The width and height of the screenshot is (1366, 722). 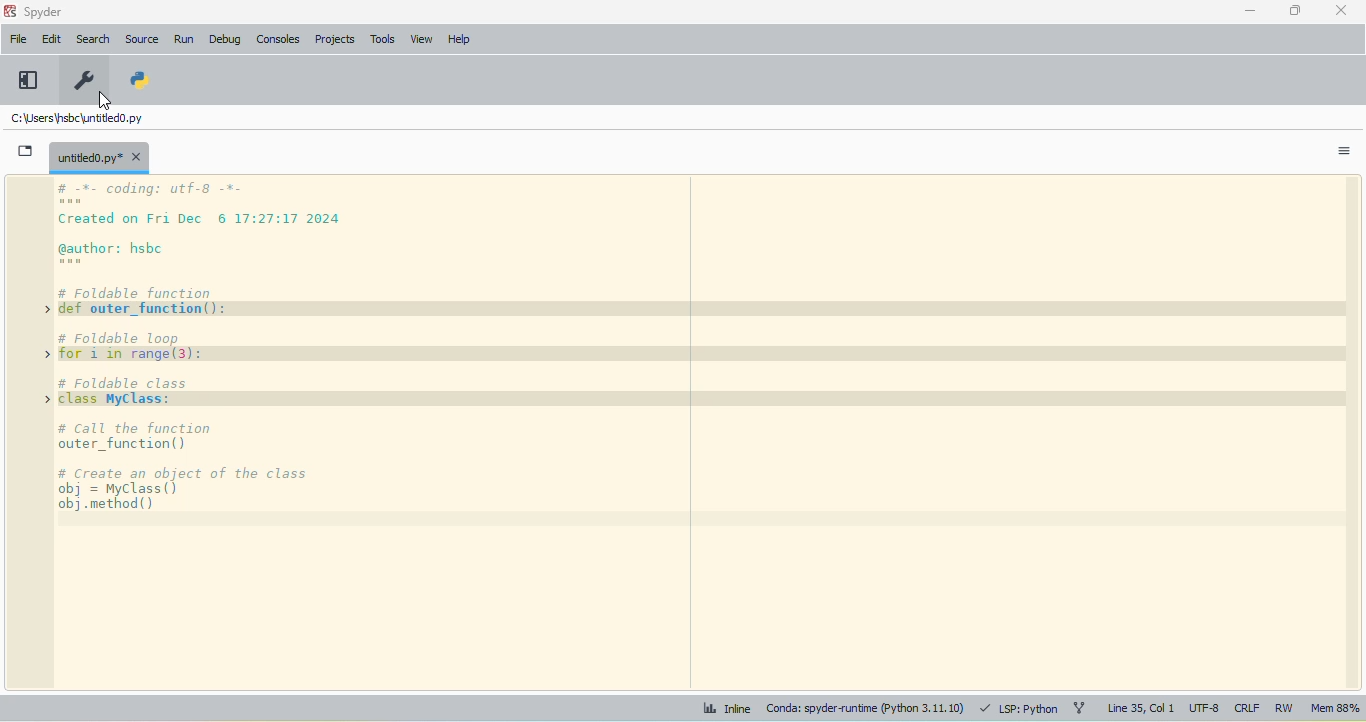 I want to click on source, so click(x=141, y=39).